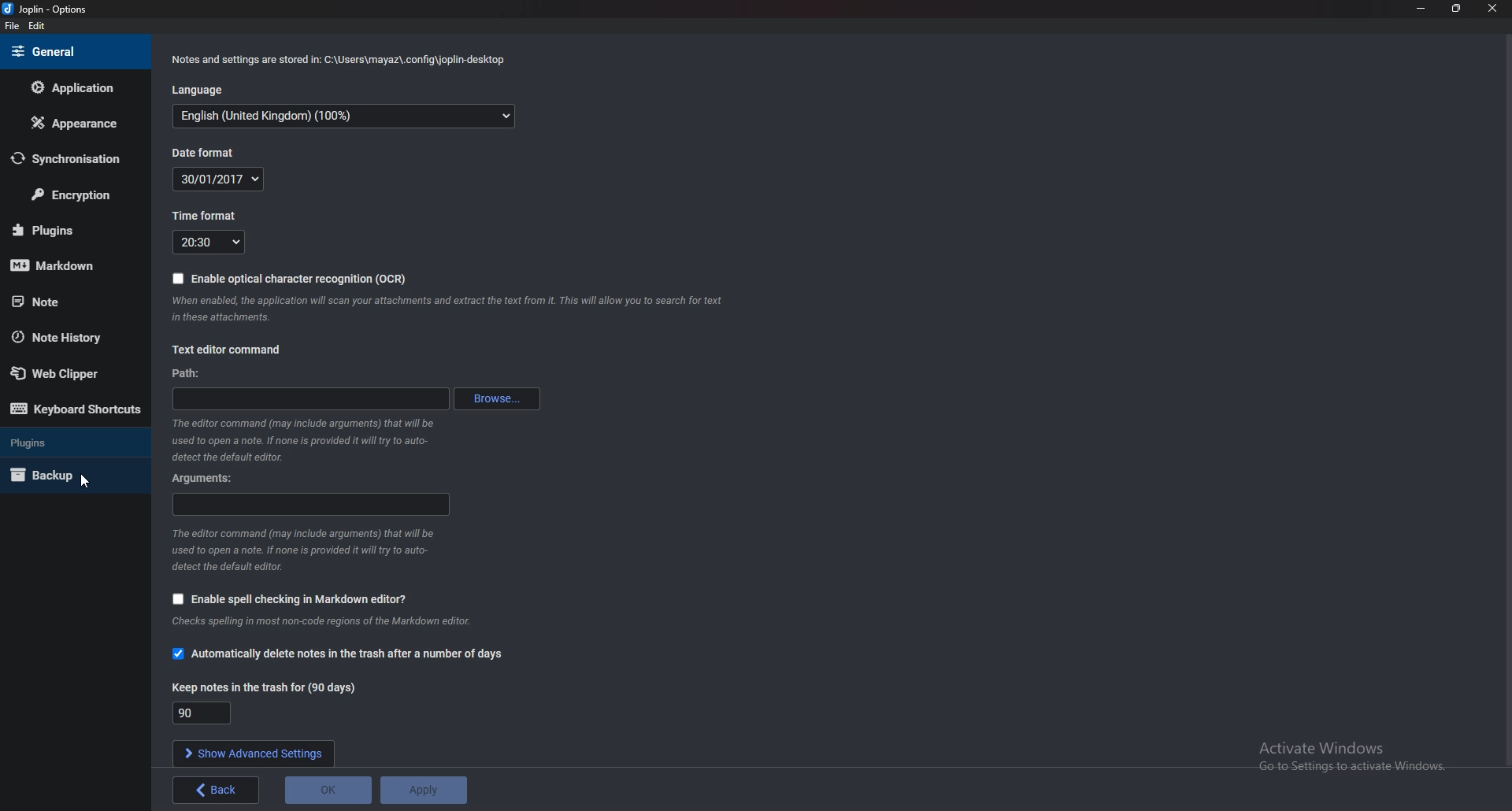 This screenshot has height=811, width=1512. Describe the element at coordinates (342, 622) in the screenshot. I see `Info` at that location.